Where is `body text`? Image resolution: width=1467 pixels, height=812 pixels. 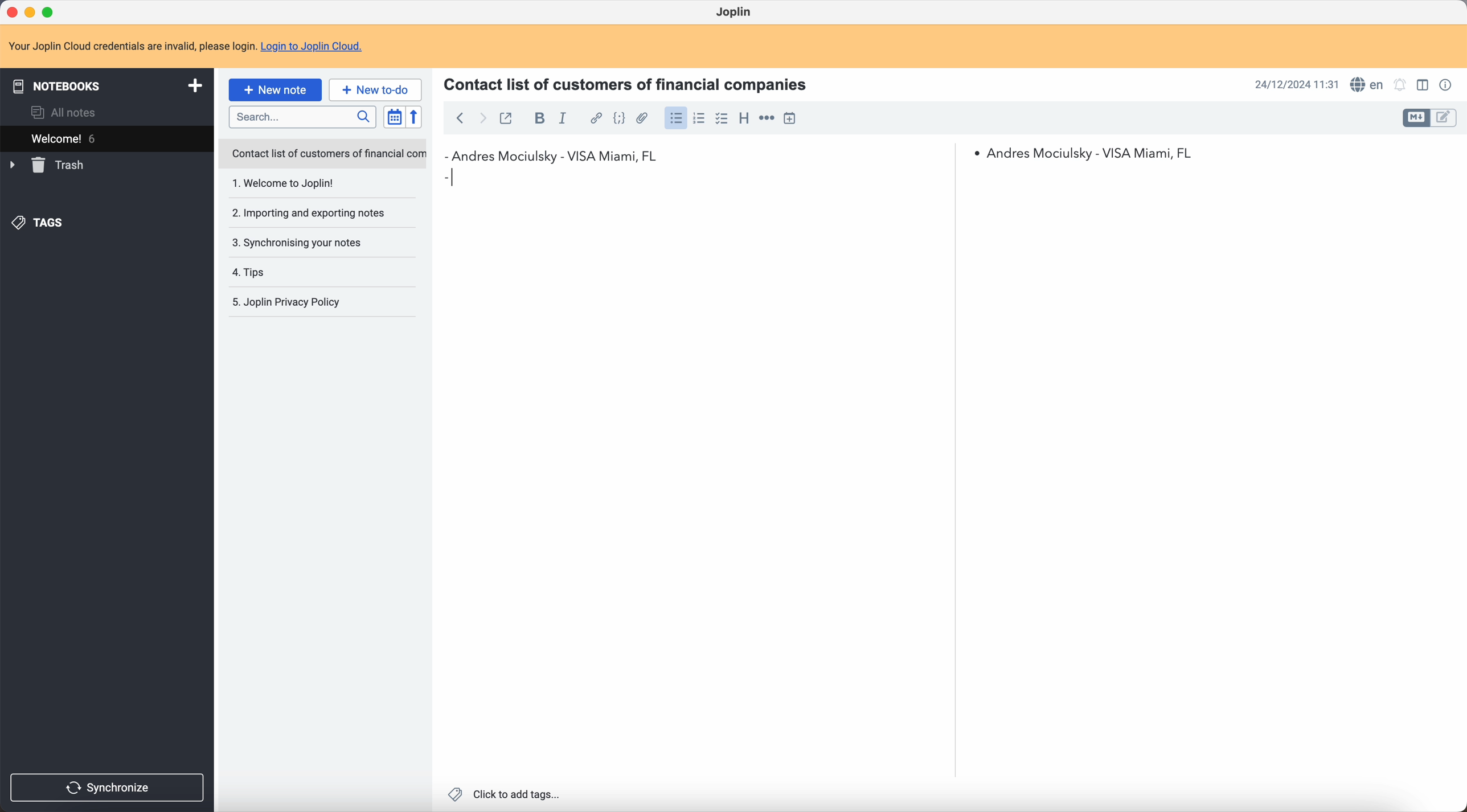 body text is located at coordinates (702, 481).